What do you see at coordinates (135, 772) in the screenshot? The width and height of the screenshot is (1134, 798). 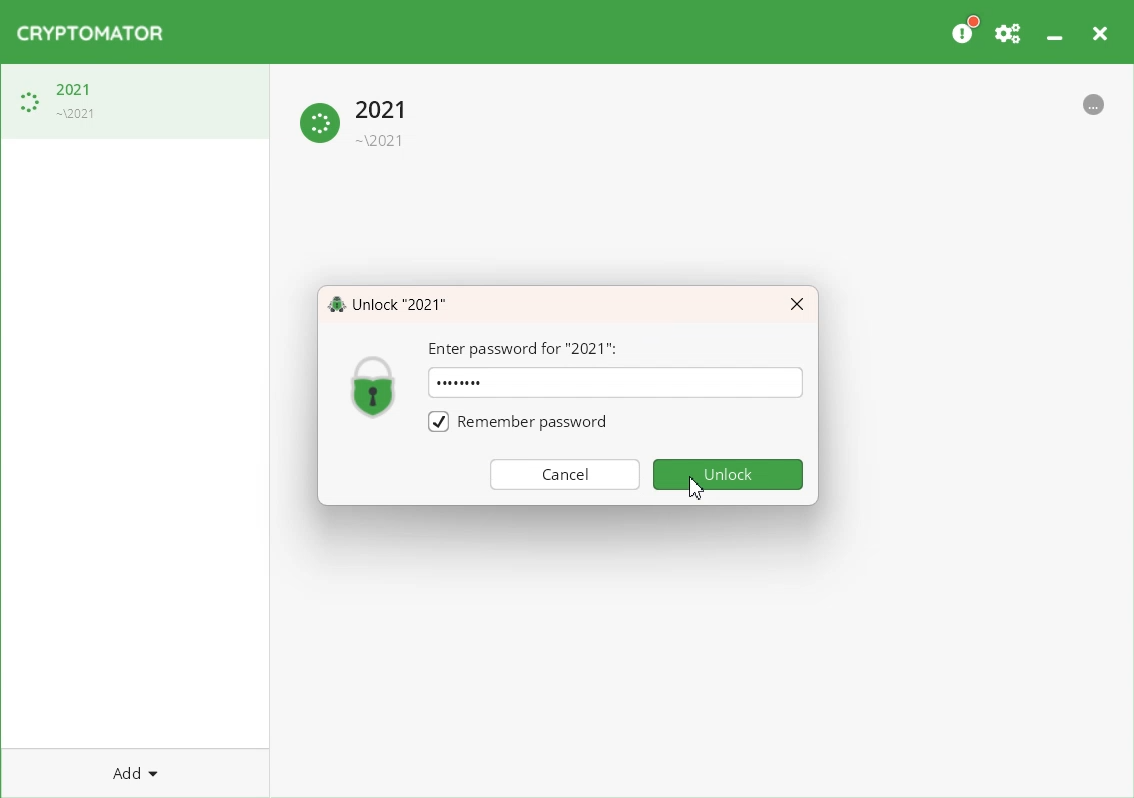 I see `Add` at bounding box center [135, 772].